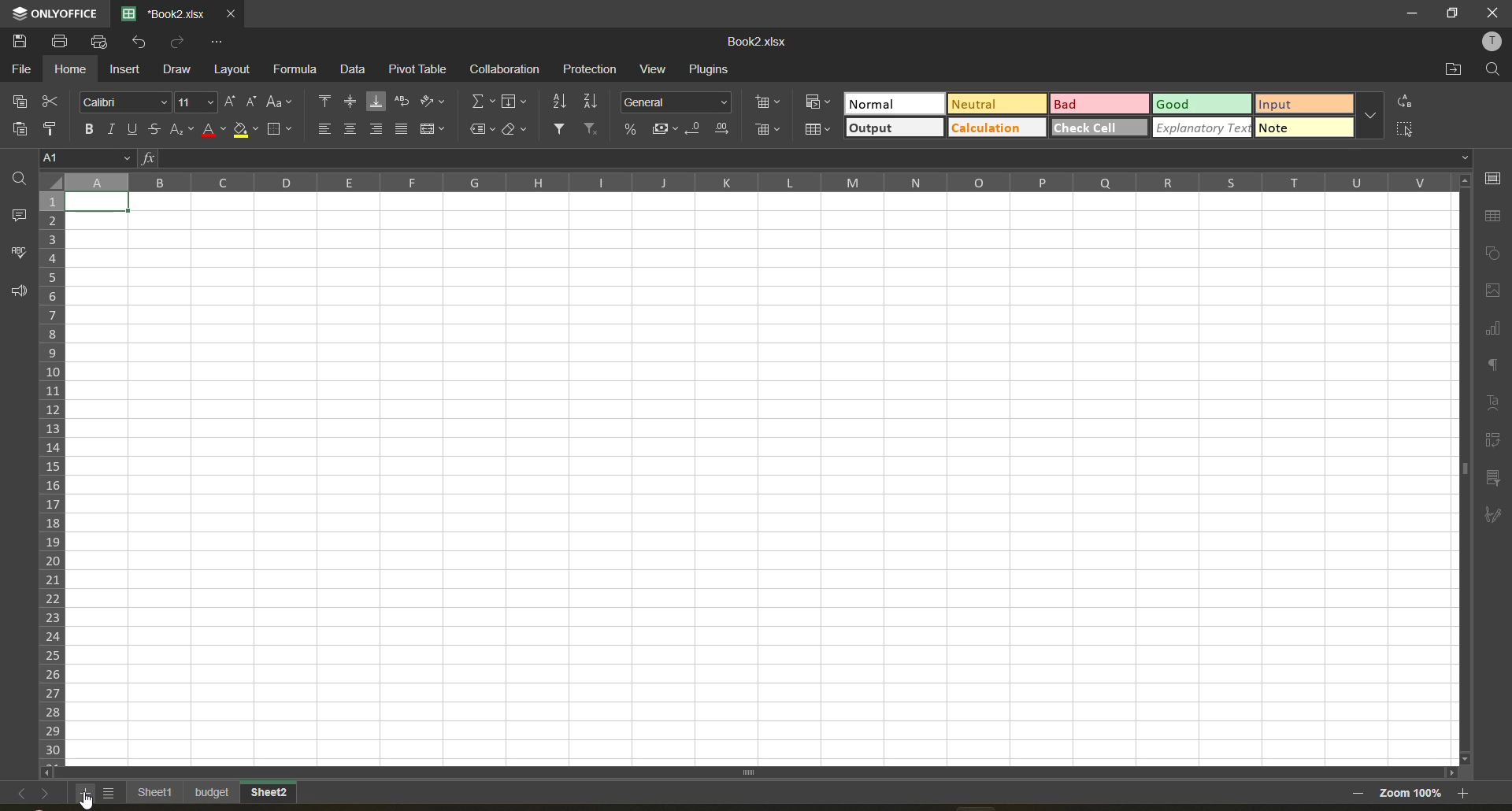 Image resolution: width=1512 pixels, height=811 pixels. I want to click on find, so click(1495, 69).